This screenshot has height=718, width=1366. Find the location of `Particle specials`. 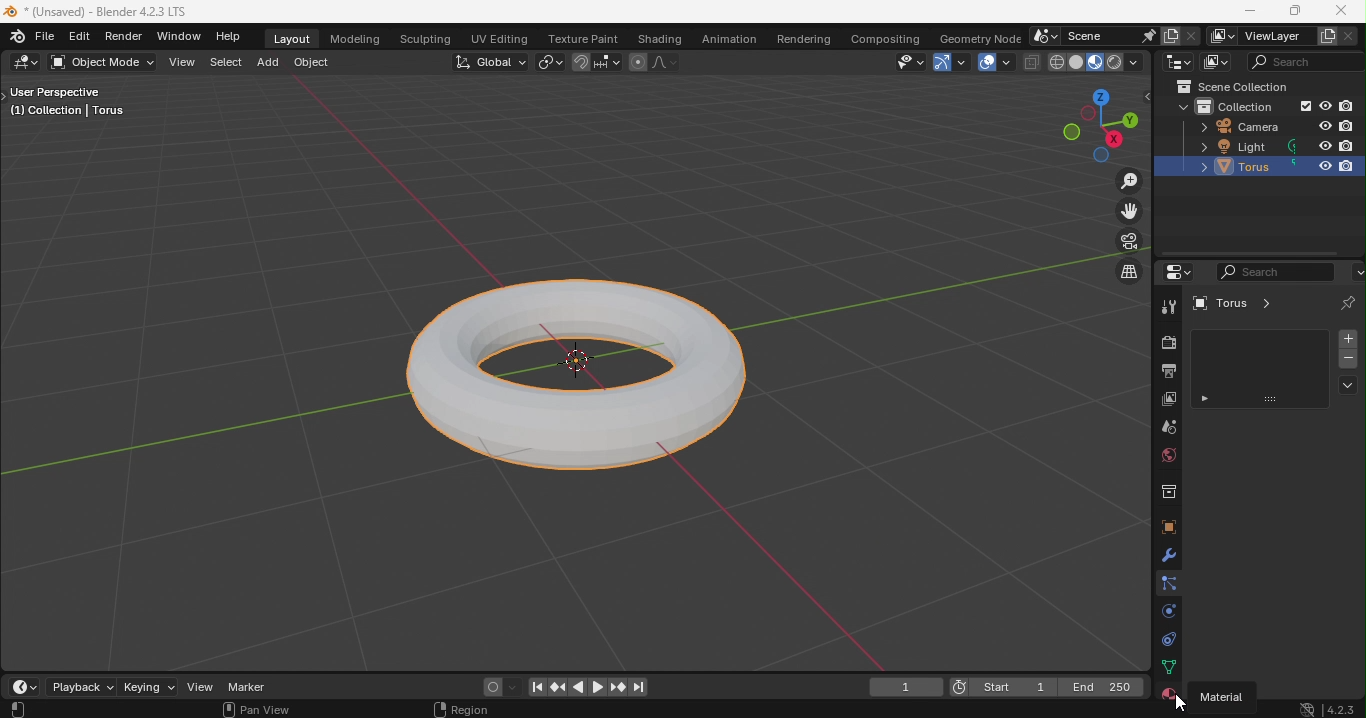

Particle specials is located at coordinates (1349, 387).